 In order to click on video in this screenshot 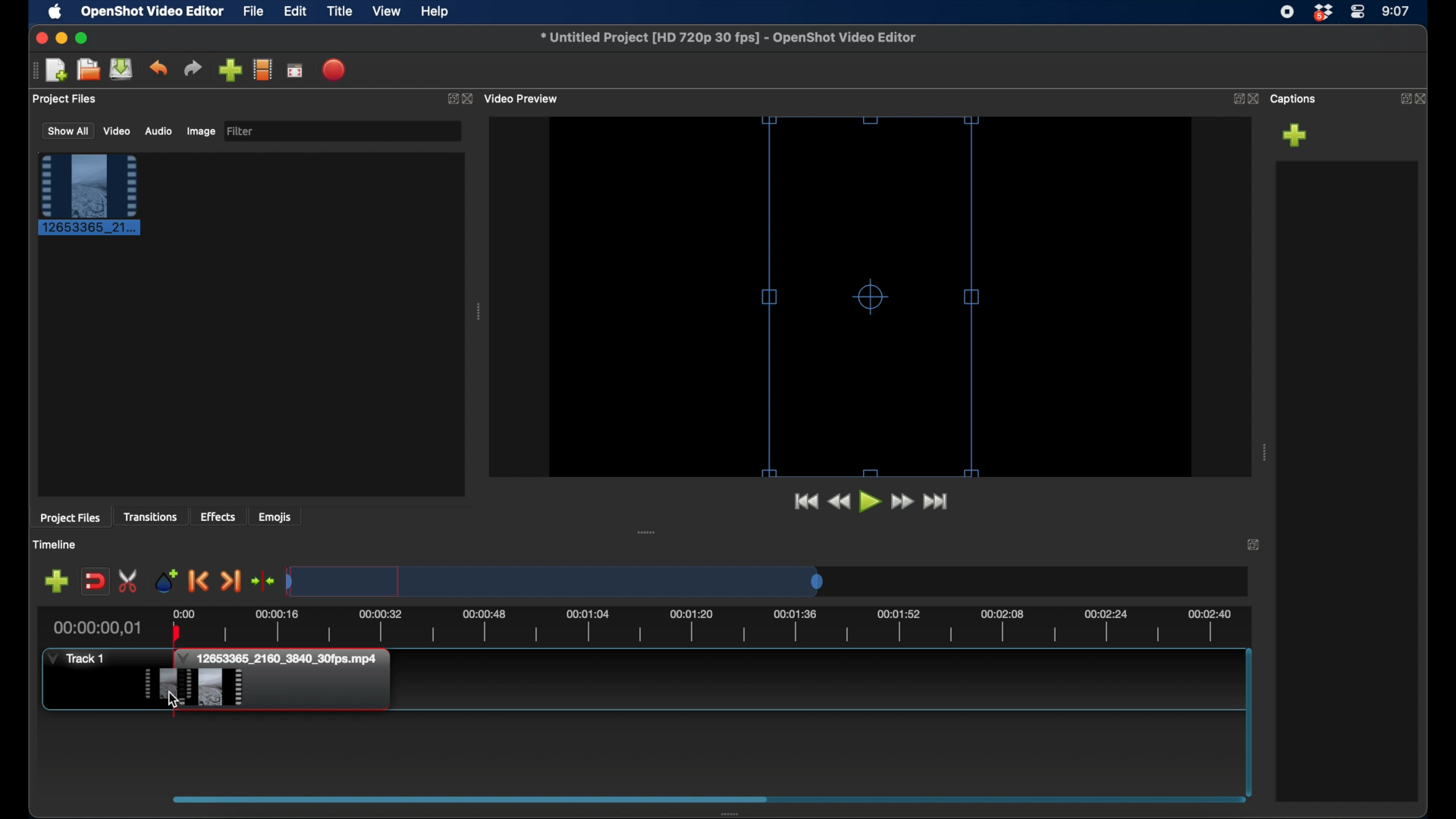, I will do `click(117, 131)`.